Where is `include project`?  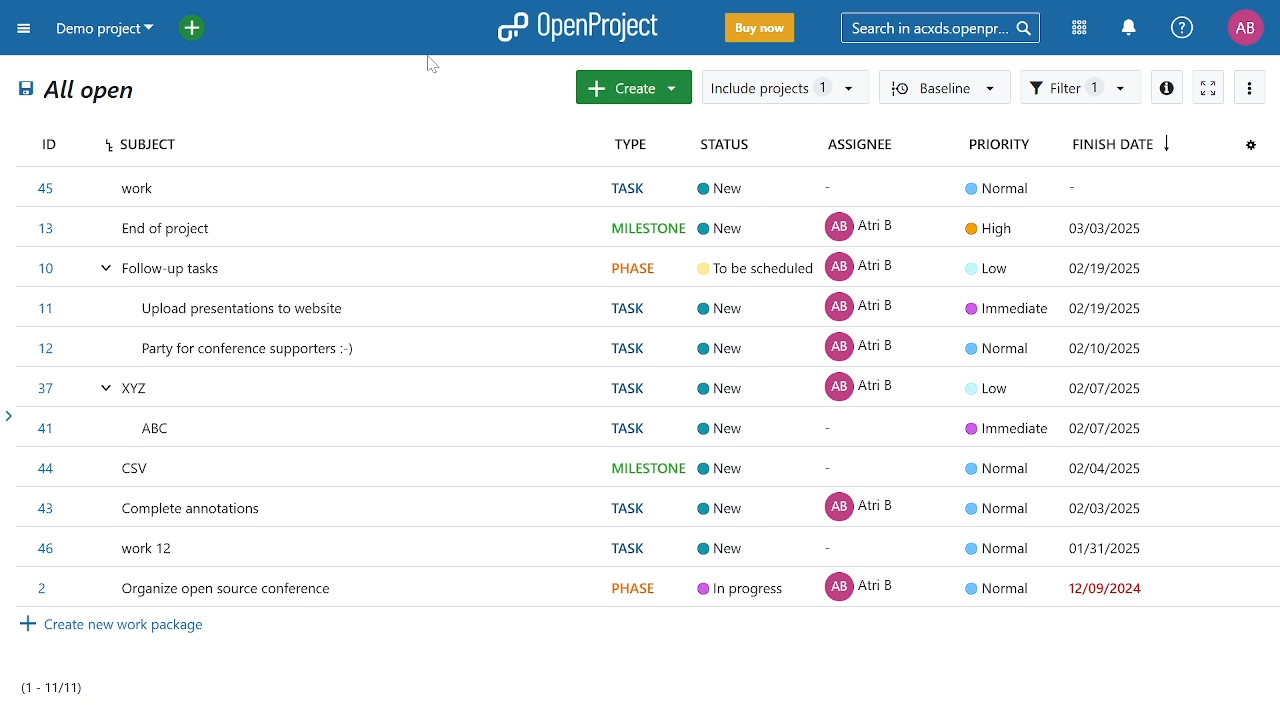
include project is located at coordinates (782, 87).